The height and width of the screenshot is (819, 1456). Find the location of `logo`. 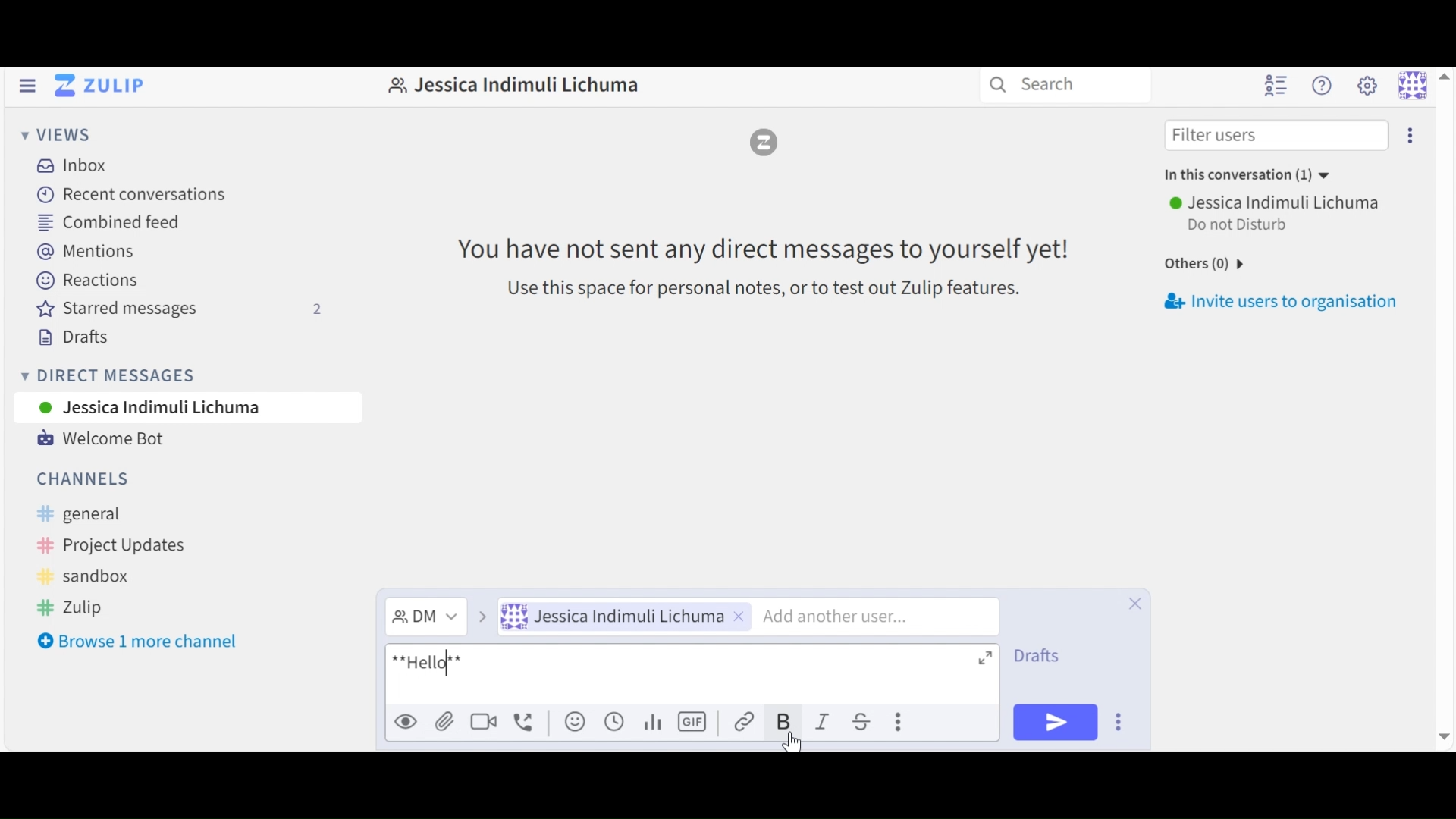

logo is located at coordinates (766, 142).